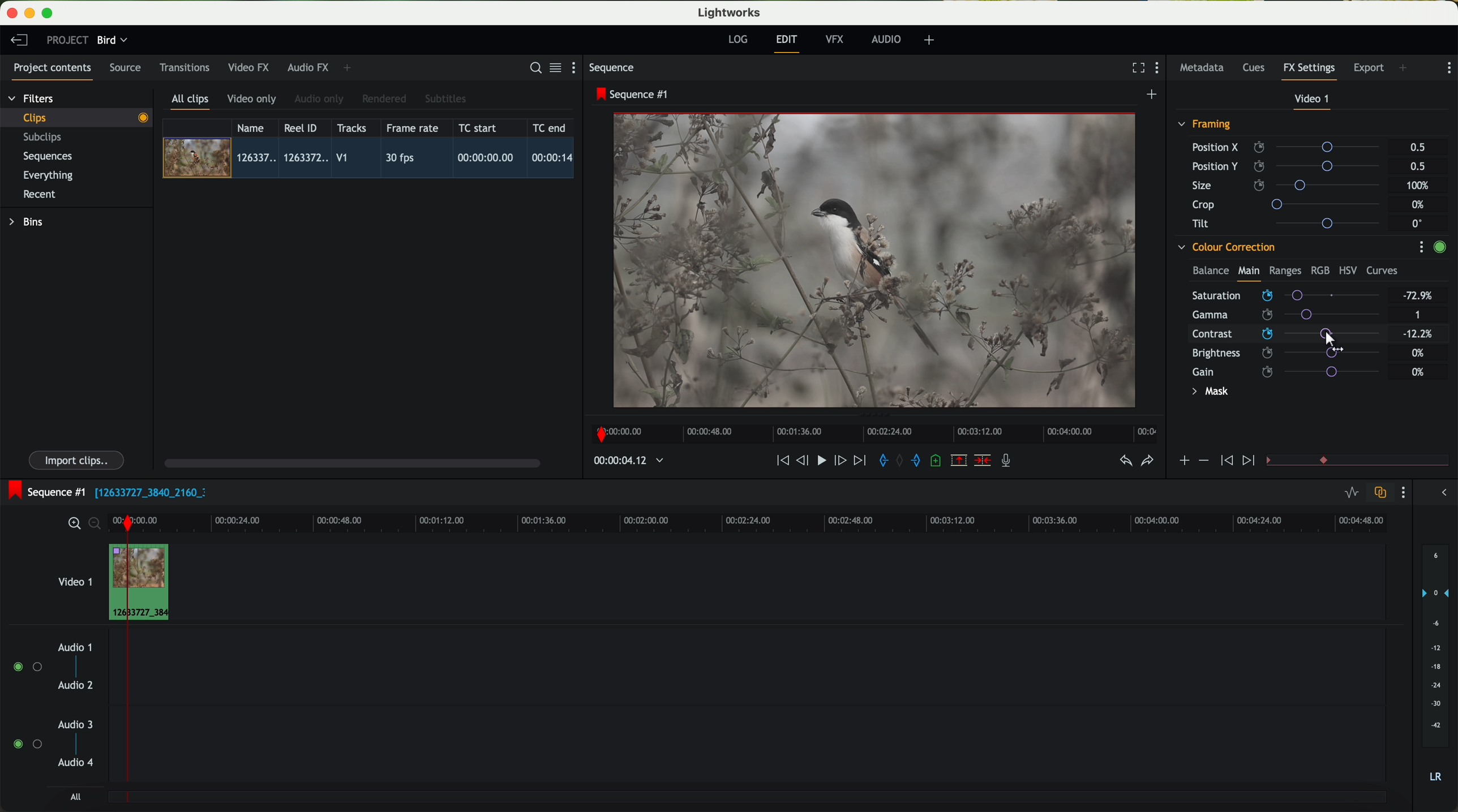 This screenshot has width=1458, height=812. Describe the element at coordinates (900, 461) in the screenshot. I see `clear marks` at that location.